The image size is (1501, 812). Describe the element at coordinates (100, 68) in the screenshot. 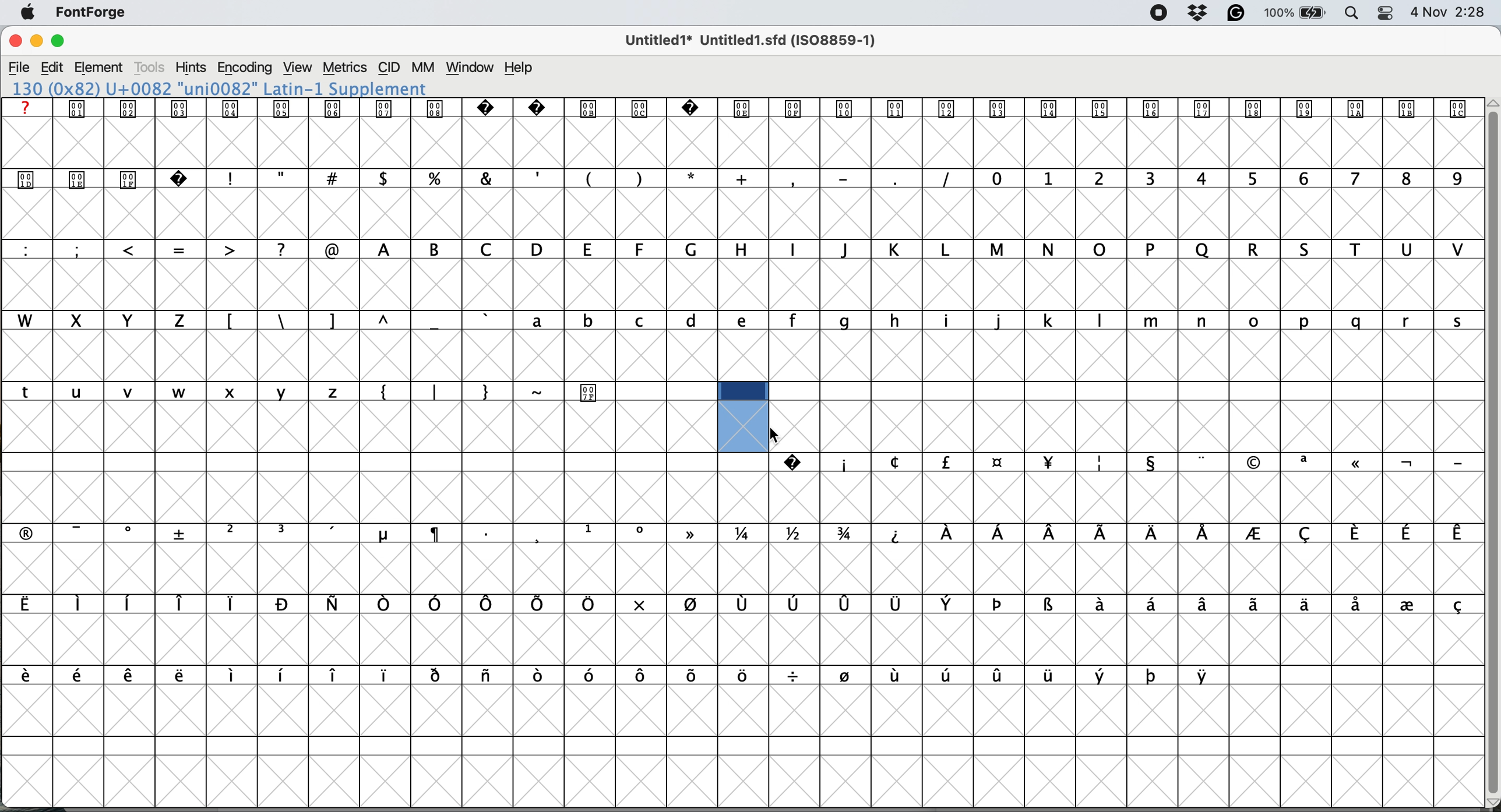

I see `element` at that location.